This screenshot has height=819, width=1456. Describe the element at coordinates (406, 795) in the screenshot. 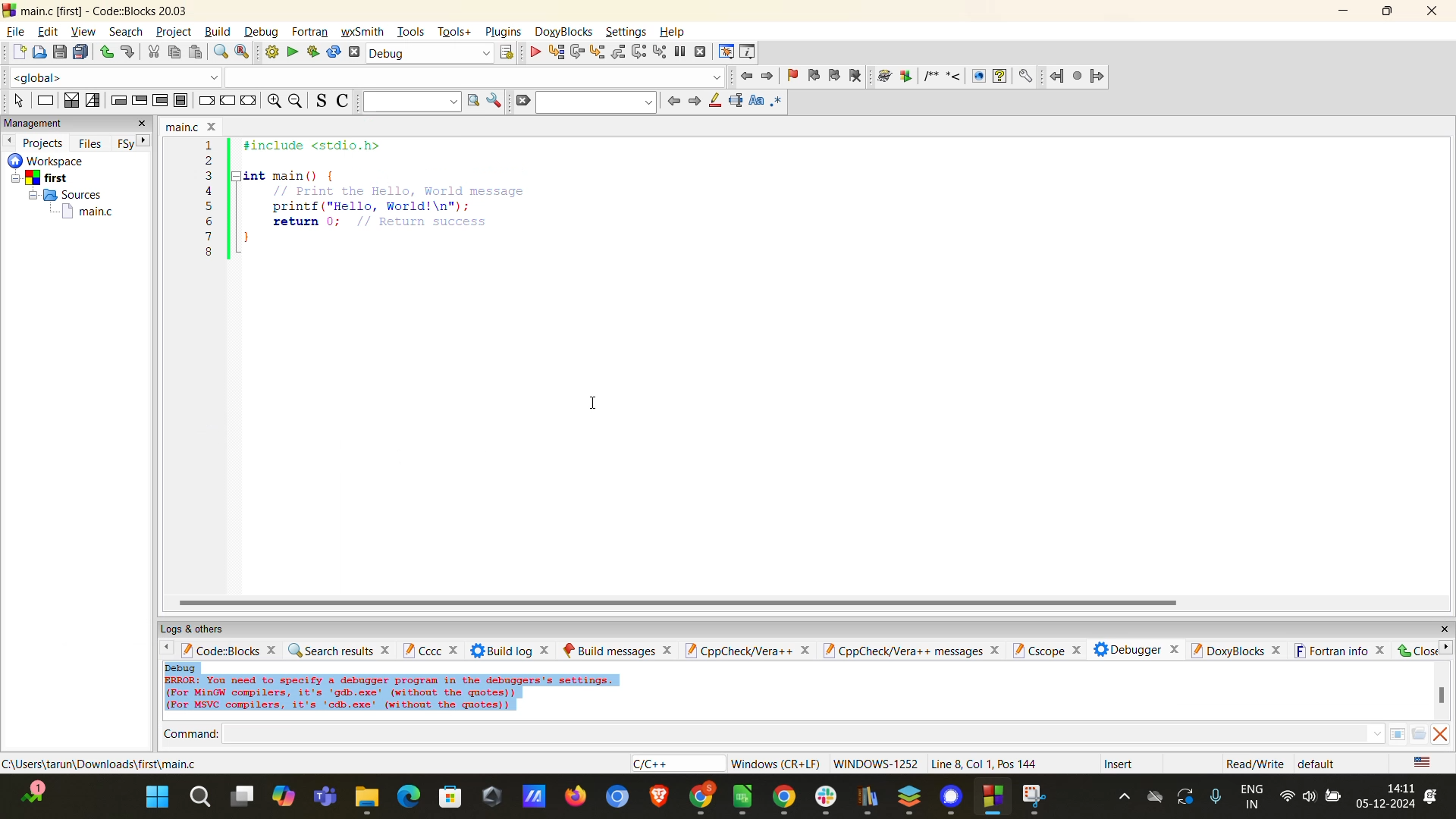

I see `` at that location.